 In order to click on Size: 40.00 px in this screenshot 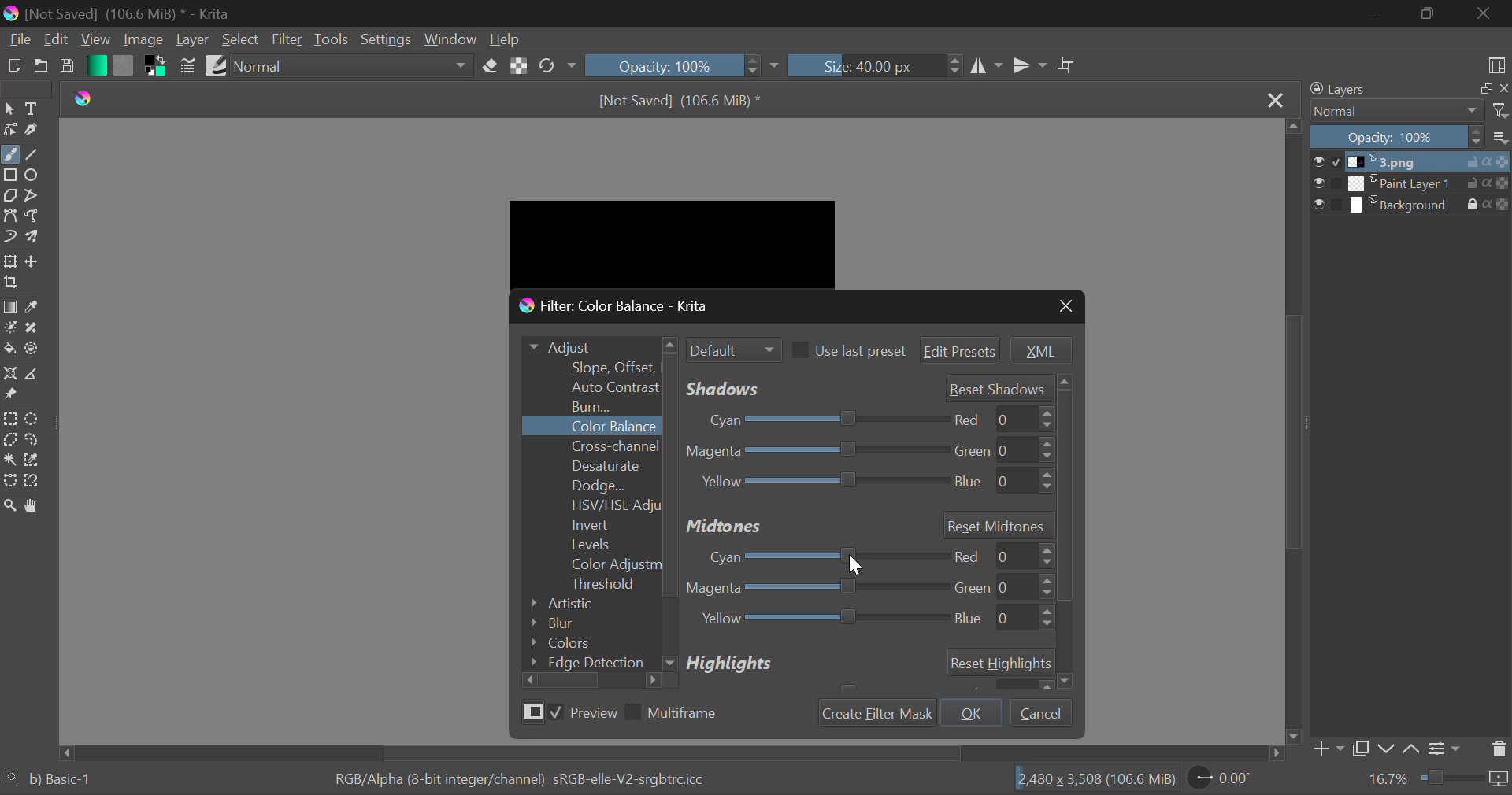, I will do `click(876, 66)`.